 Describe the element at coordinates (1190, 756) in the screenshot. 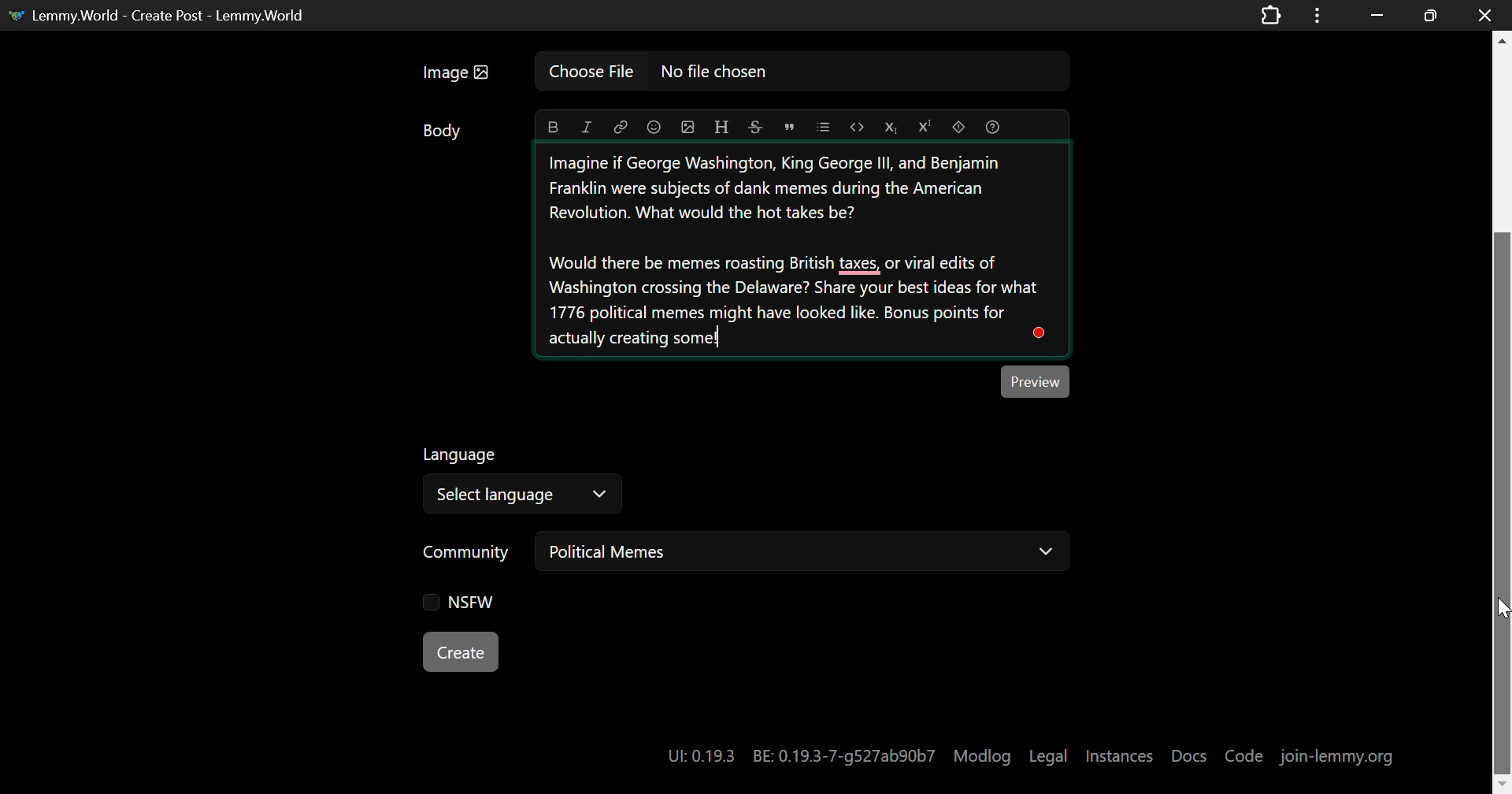

I see `Docs` at that location.